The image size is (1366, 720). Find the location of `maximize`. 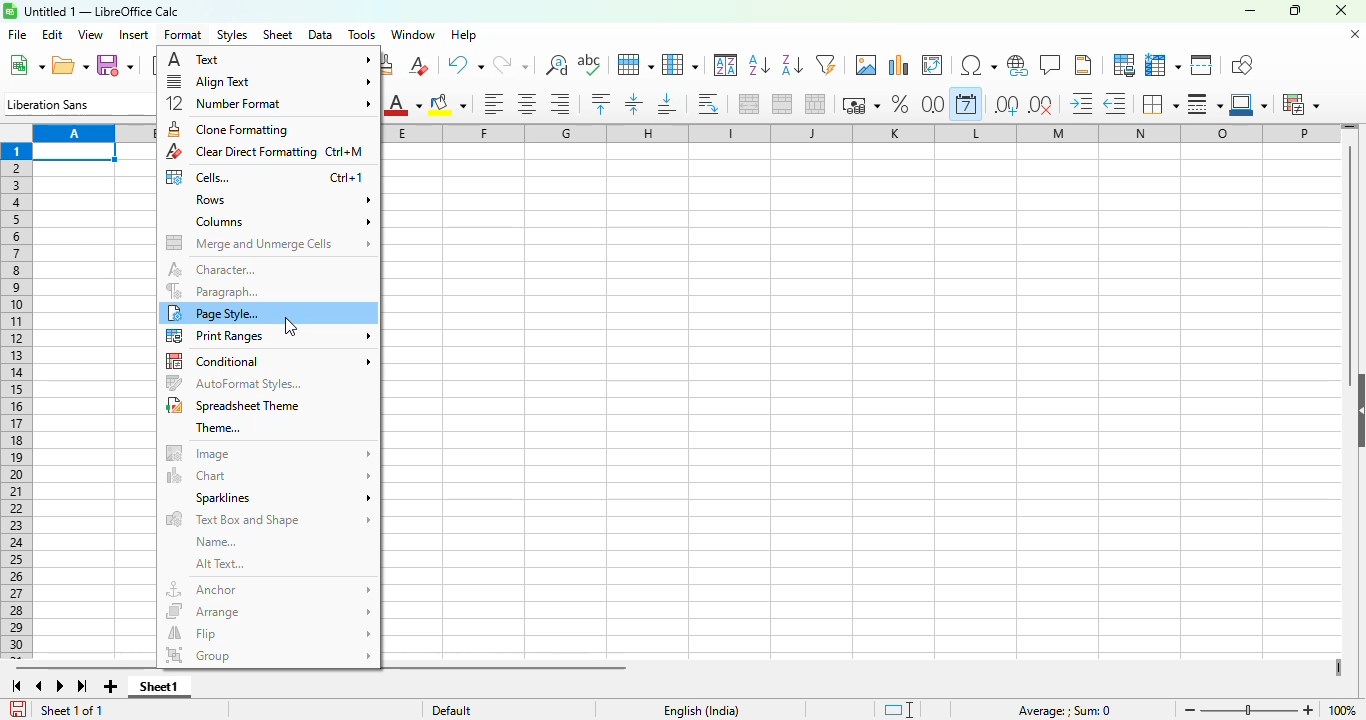

maximize is located at coordinates (1294, 11).